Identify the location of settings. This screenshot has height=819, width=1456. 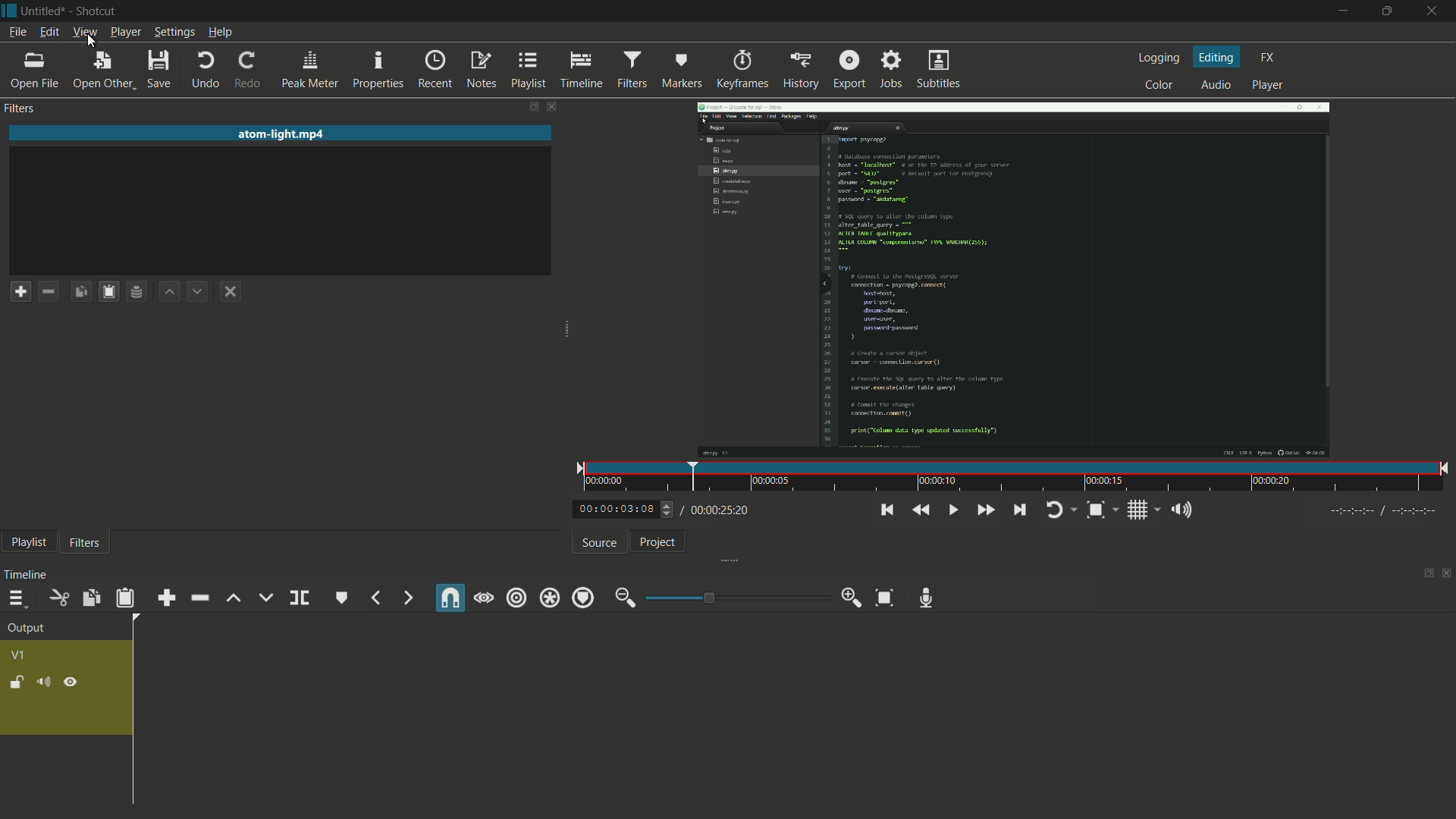
(176, 32).